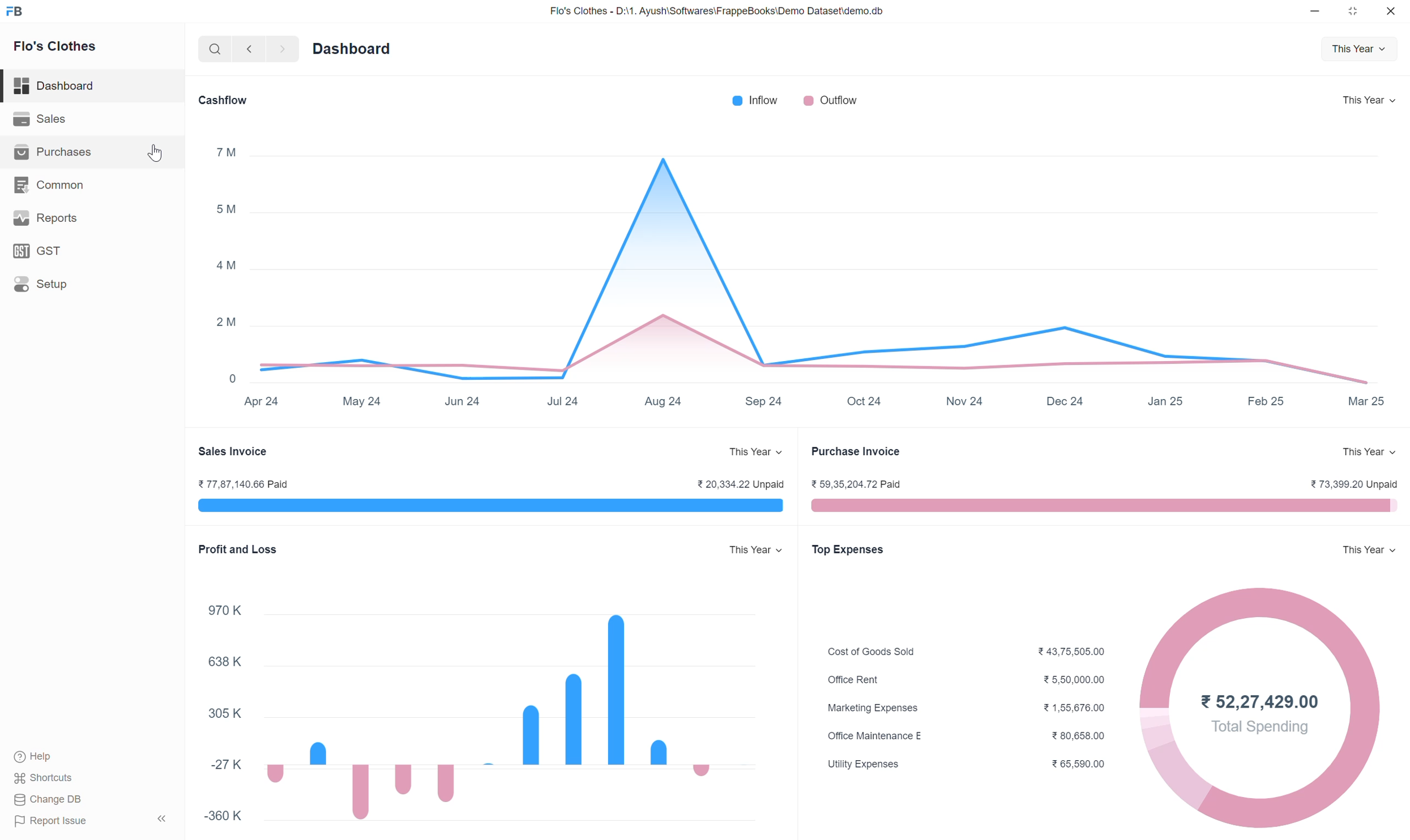 The image size is (1410, 840). Describe the element at coordinates (1258, 708) in the screenshot. I see `¥52,27,429.00
Total Spending` at that location.